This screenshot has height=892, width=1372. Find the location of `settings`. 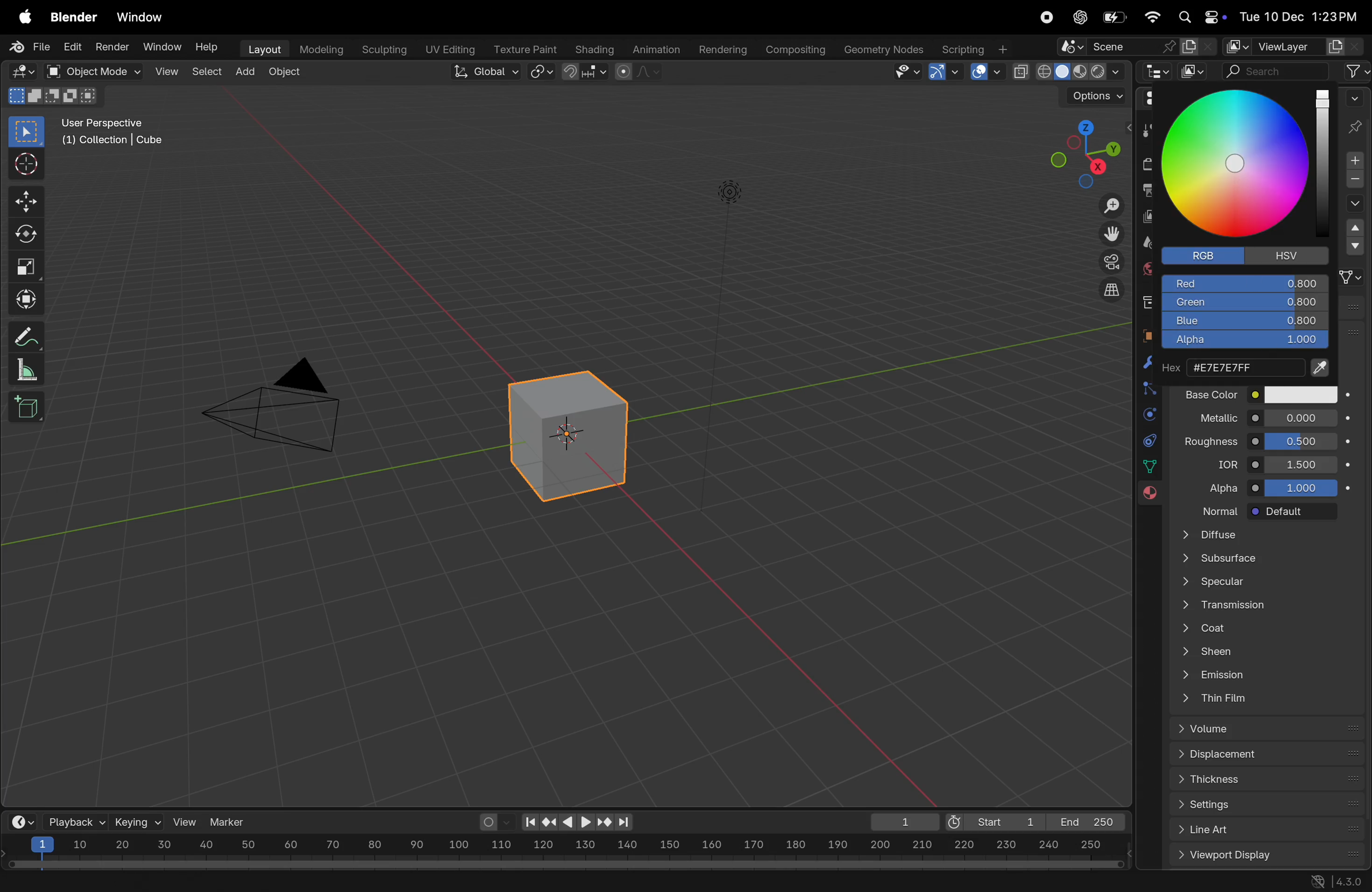

settings is located at coordinates (1272, 806).